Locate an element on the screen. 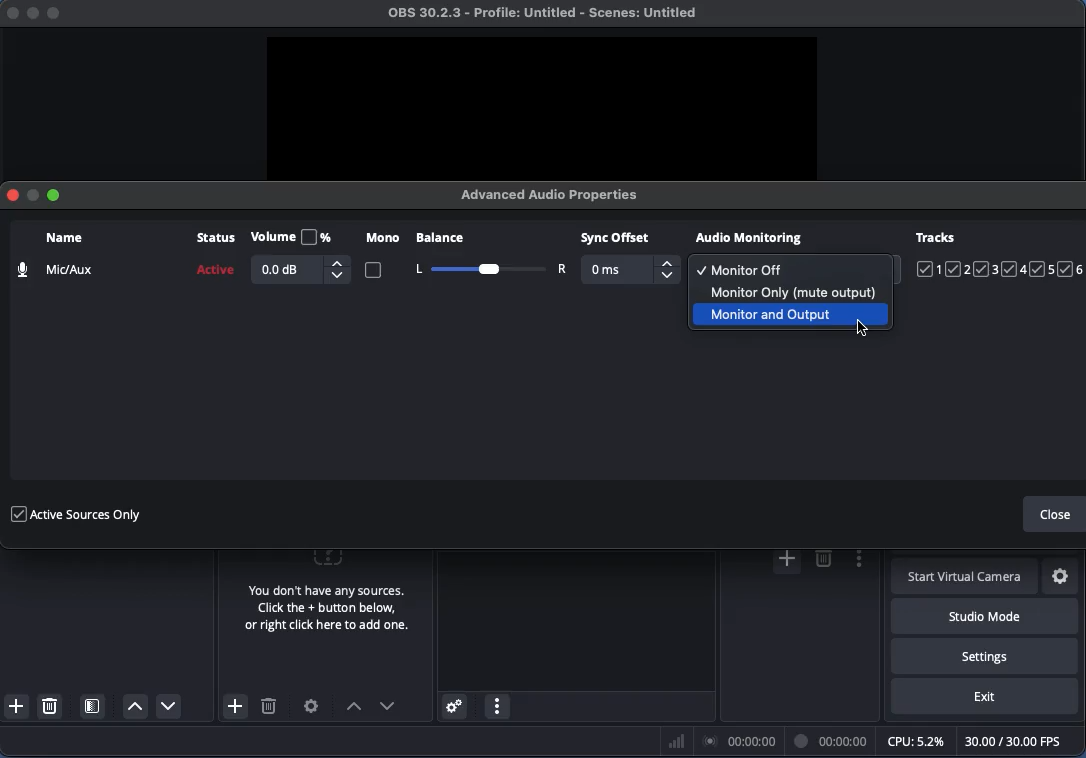 This screenshot has width=1086, height=758. CPU is located at coordinates (914, 740).